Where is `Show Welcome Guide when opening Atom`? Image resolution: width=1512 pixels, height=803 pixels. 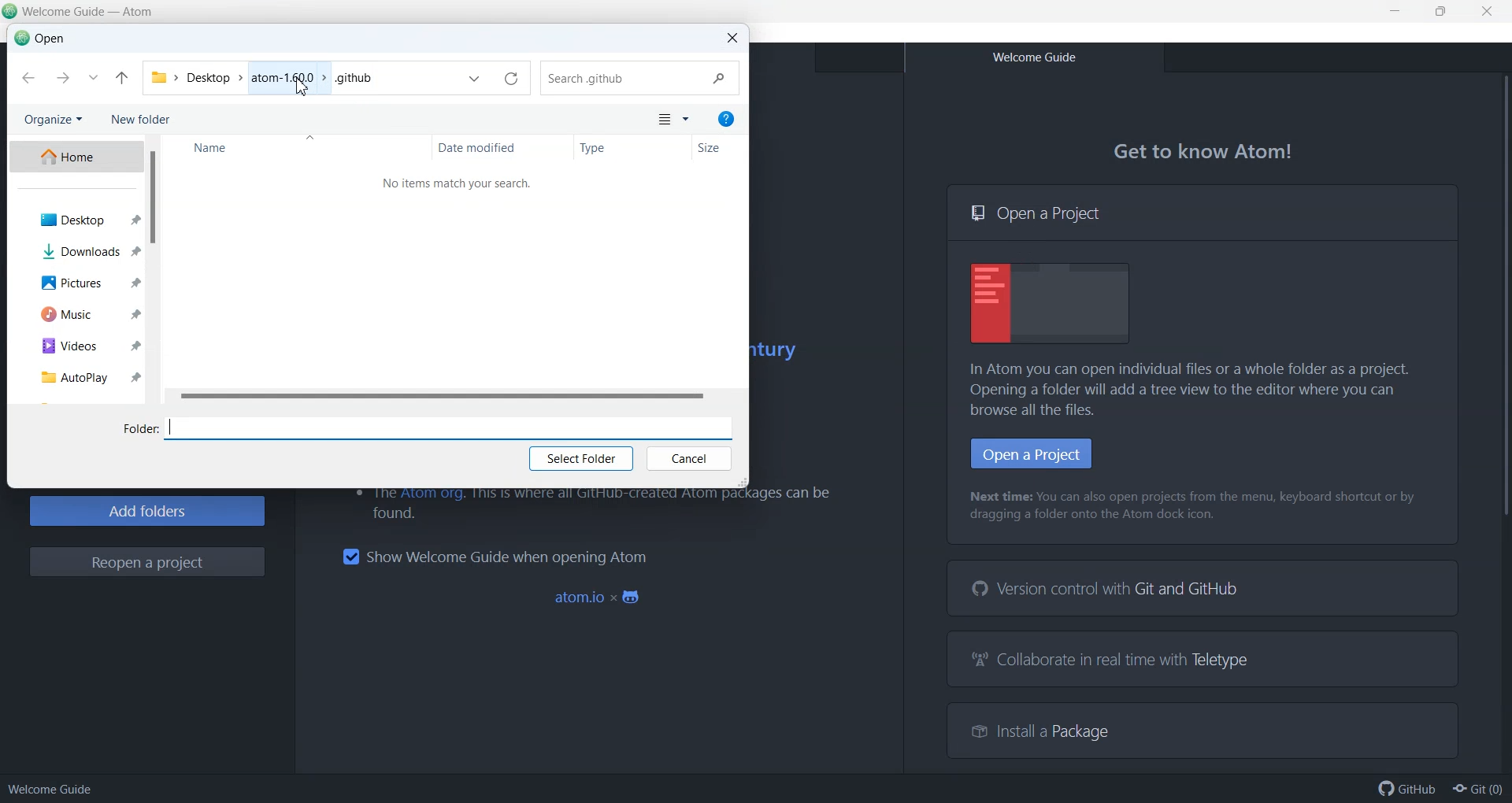 Show Welcome Guide when opening Atom is located at coordinates (494, 557).